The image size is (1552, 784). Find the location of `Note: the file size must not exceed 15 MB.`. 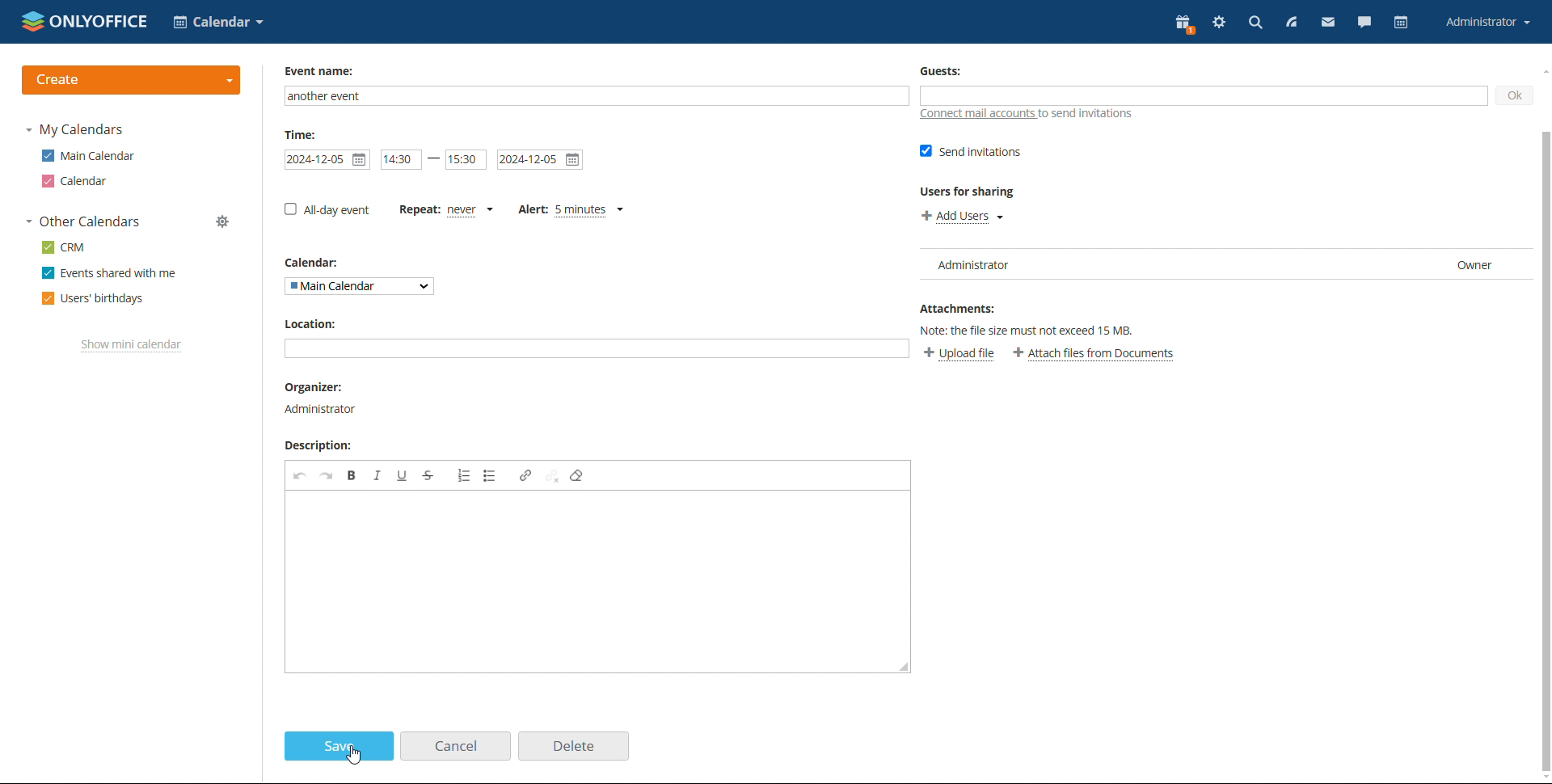

Note: the file size must not exceed 15 MB. is located at coordinates (1040, 331).